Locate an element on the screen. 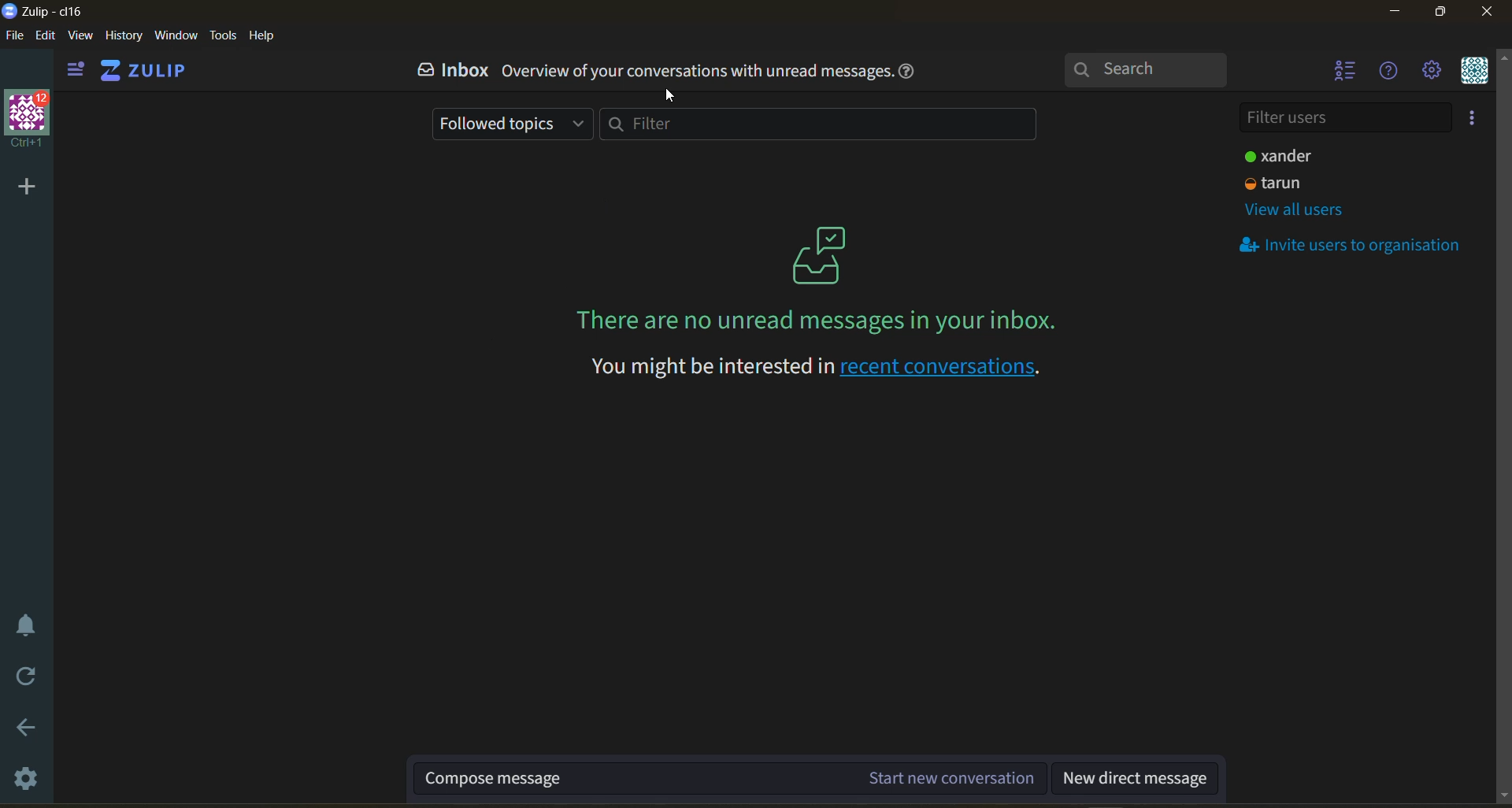 This screenshot has width=1512, height=808. help menu is located at coordinates (1398, 70).